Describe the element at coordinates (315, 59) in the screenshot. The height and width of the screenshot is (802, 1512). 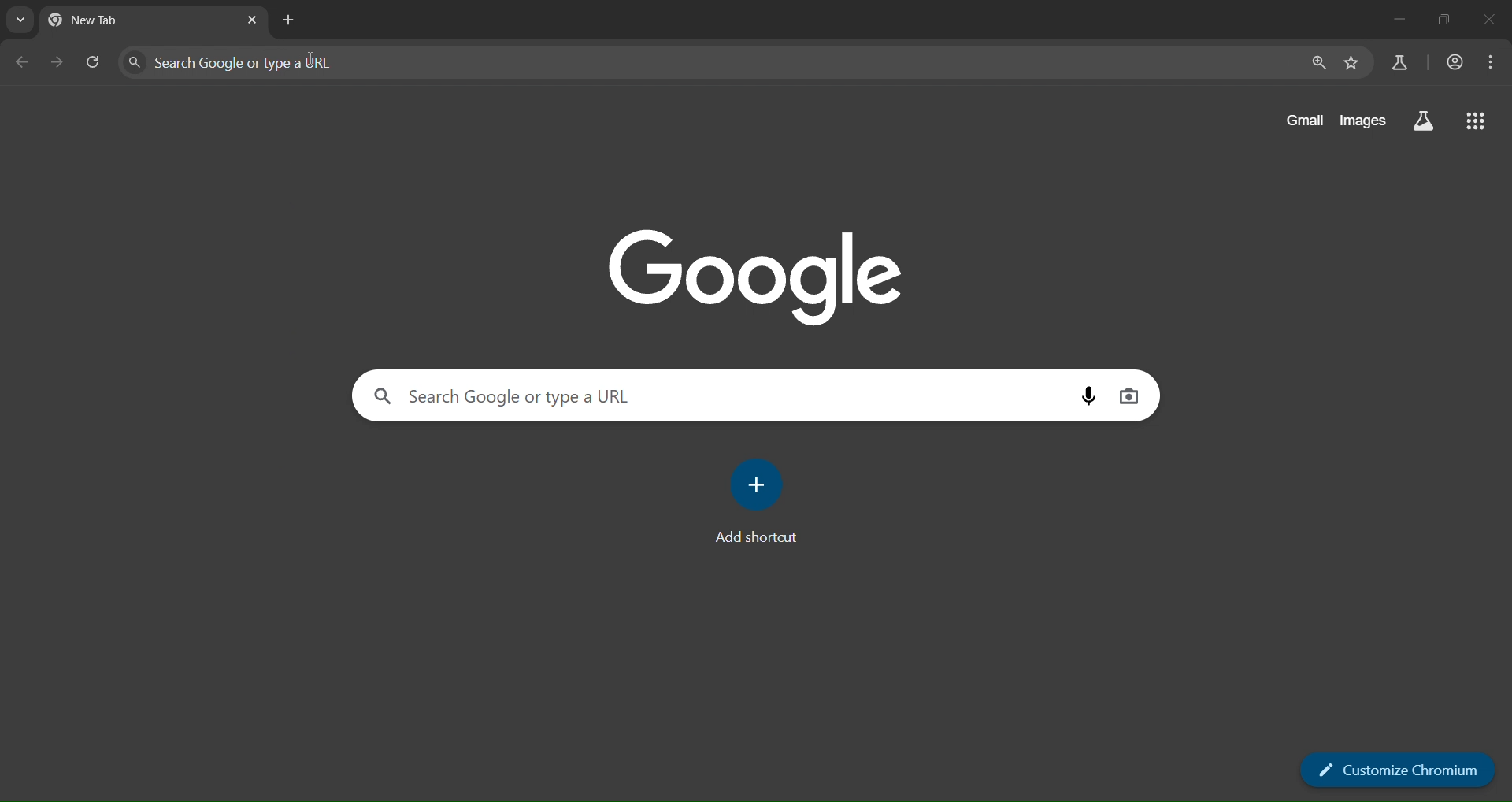
I see `cursor` at that location.